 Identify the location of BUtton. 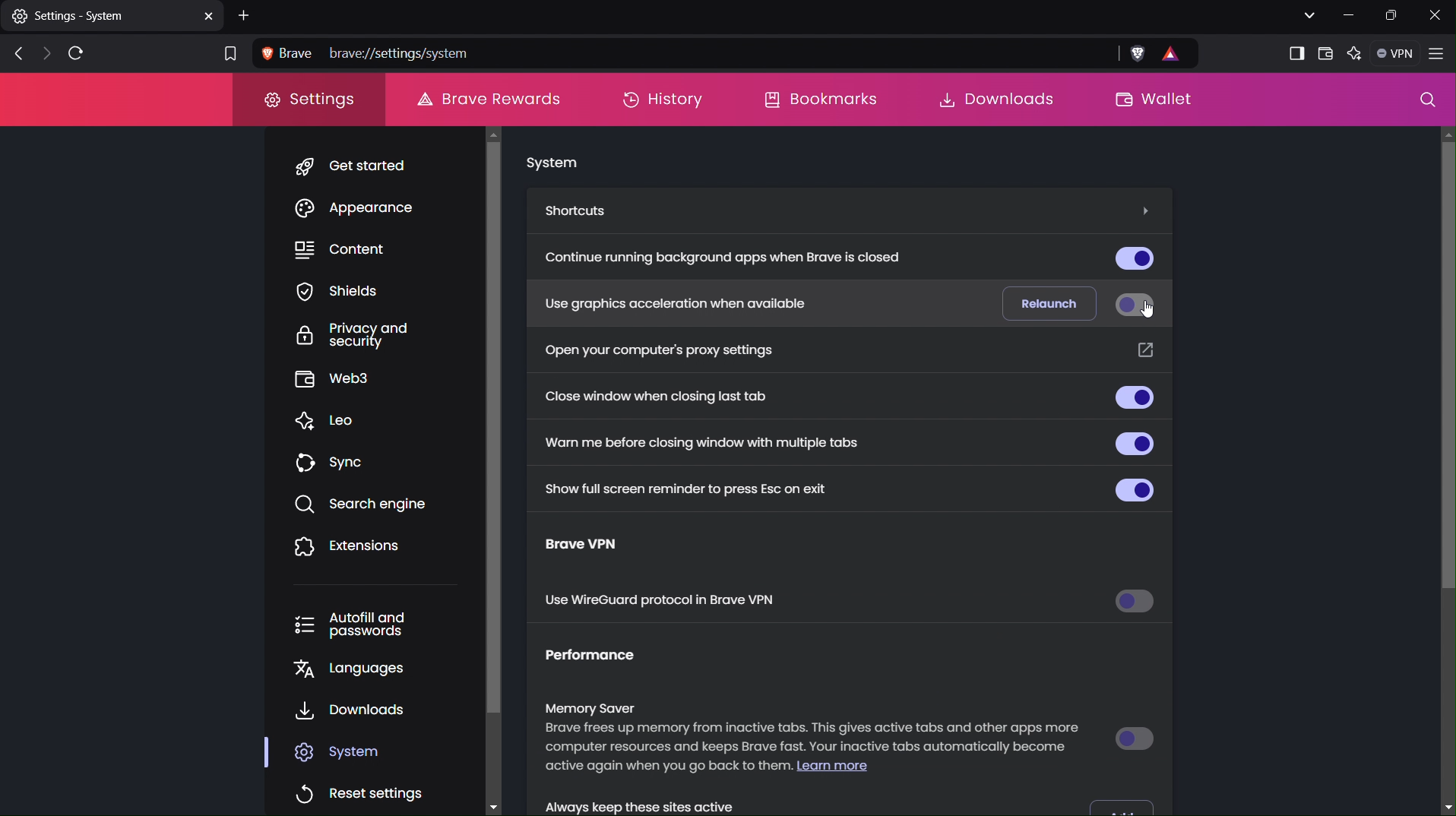
(1132, 488).